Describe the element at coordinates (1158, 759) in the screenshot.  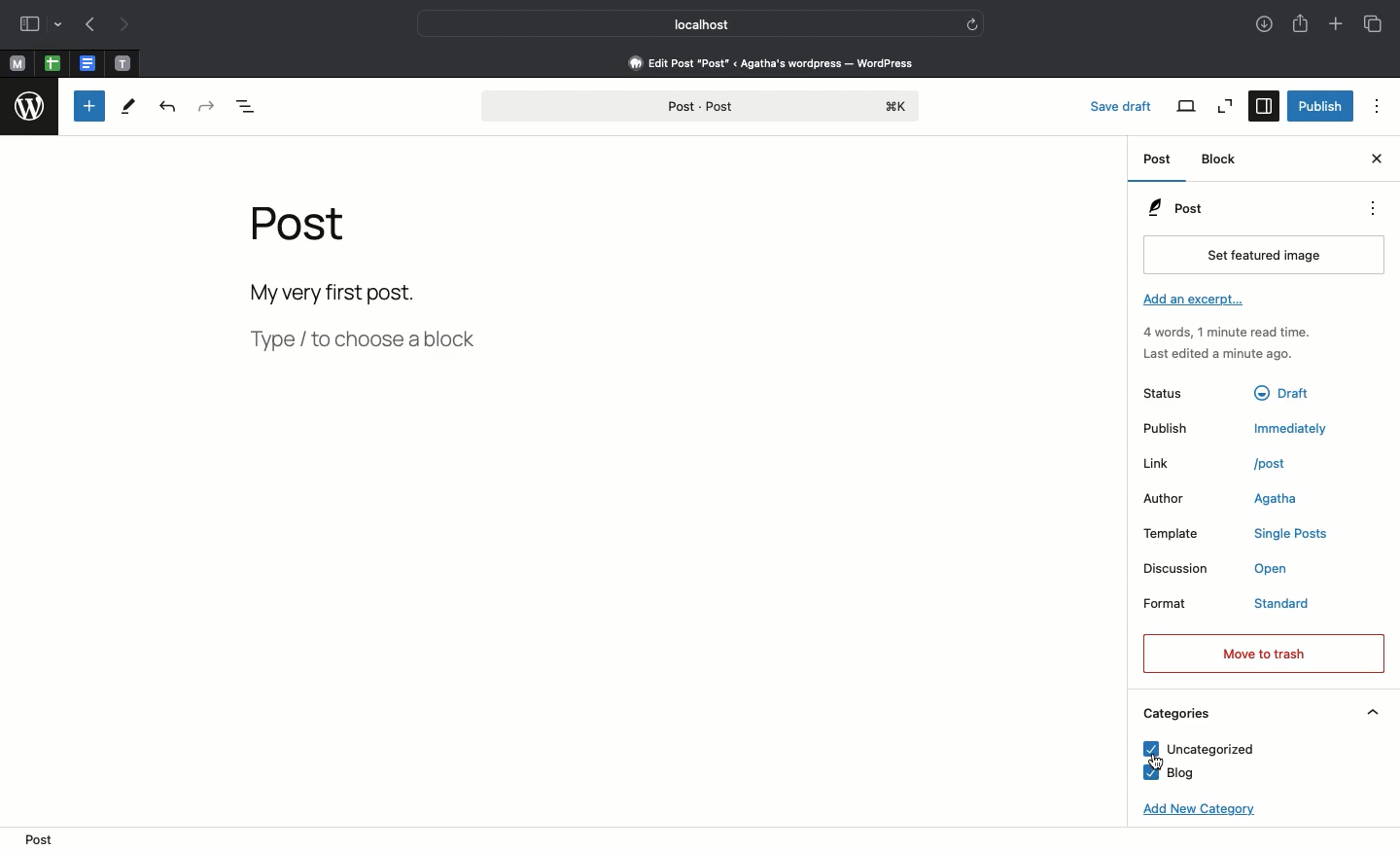
I see `Cursor Click` at that location.